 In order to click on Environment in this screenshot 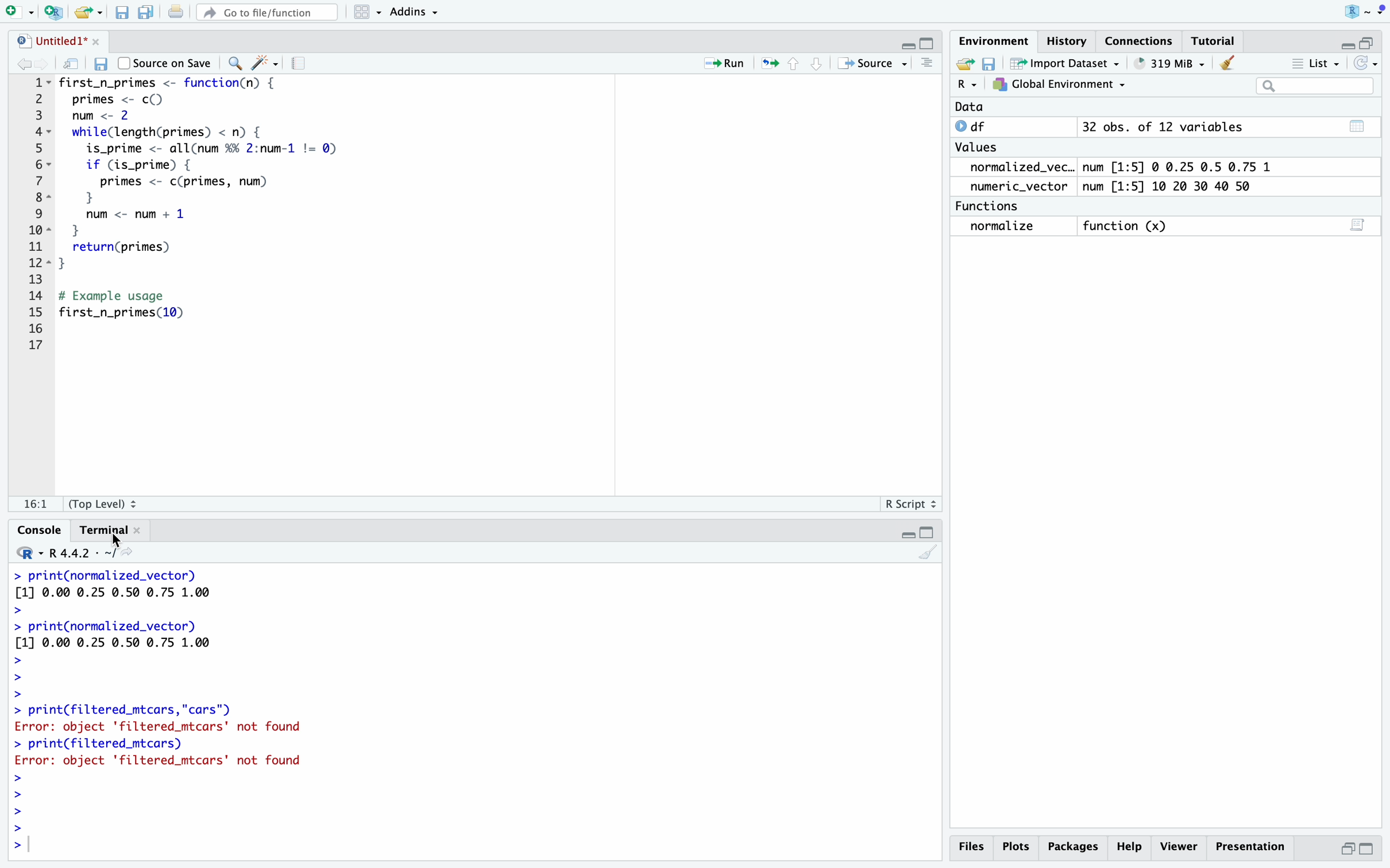, I will do `click(995, 39)`.